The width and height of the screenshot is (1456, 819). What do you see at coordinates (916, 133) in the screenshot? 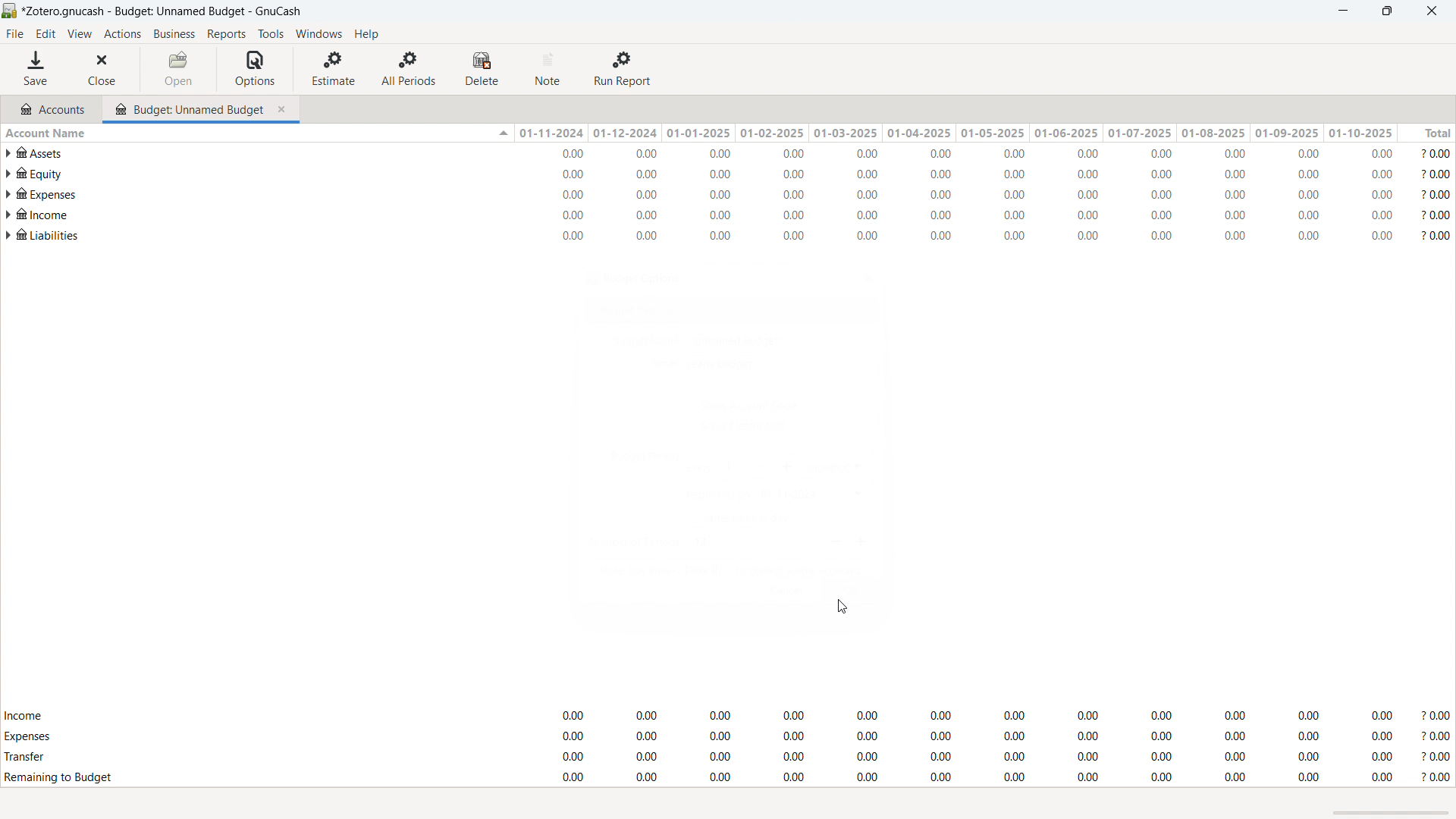
I see `01-04-2025` at bounding box center [916, 133].